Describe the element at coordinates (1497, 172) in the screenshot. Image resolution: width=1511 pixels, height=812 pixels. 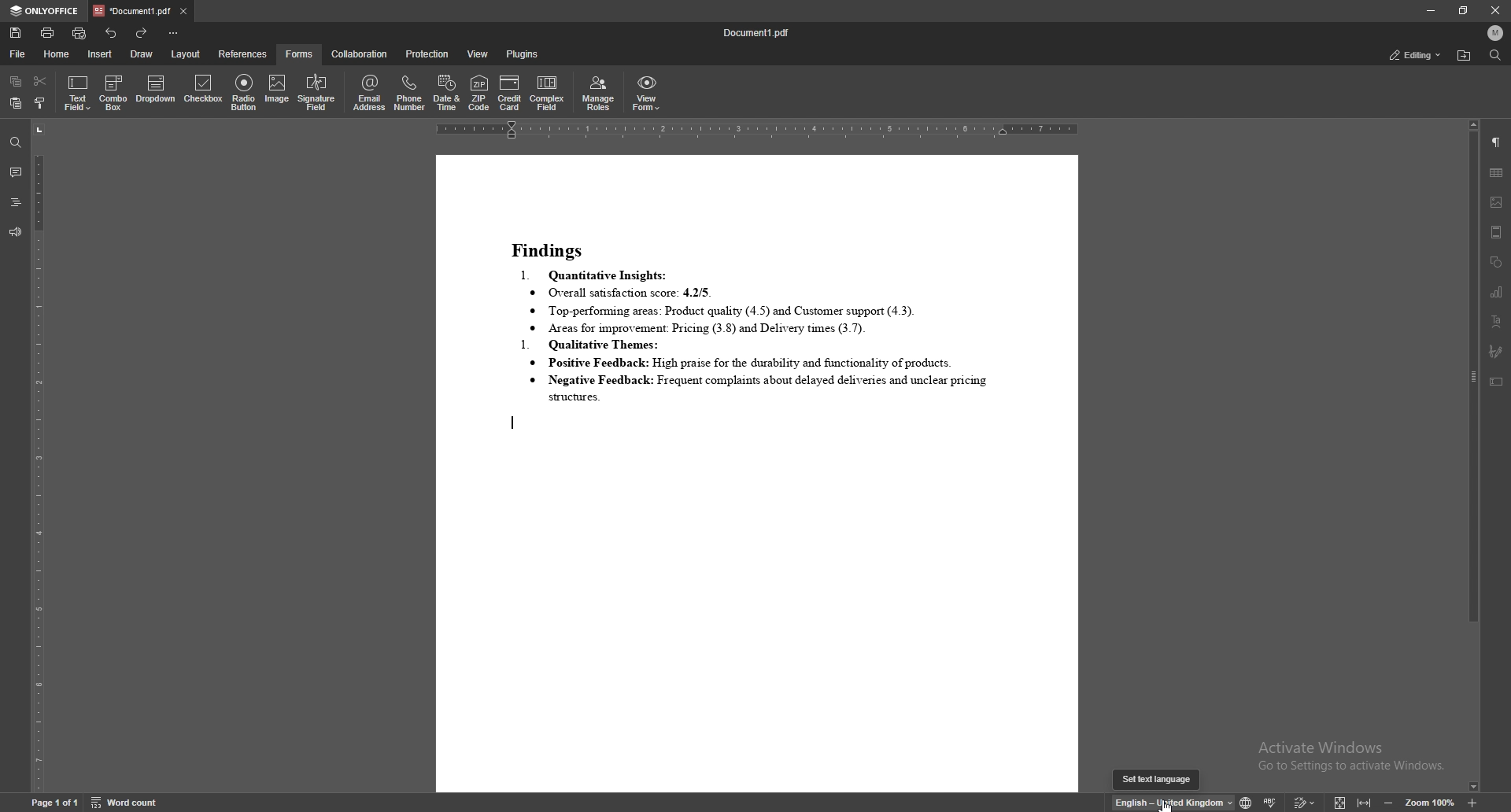
I see `table` at that location.